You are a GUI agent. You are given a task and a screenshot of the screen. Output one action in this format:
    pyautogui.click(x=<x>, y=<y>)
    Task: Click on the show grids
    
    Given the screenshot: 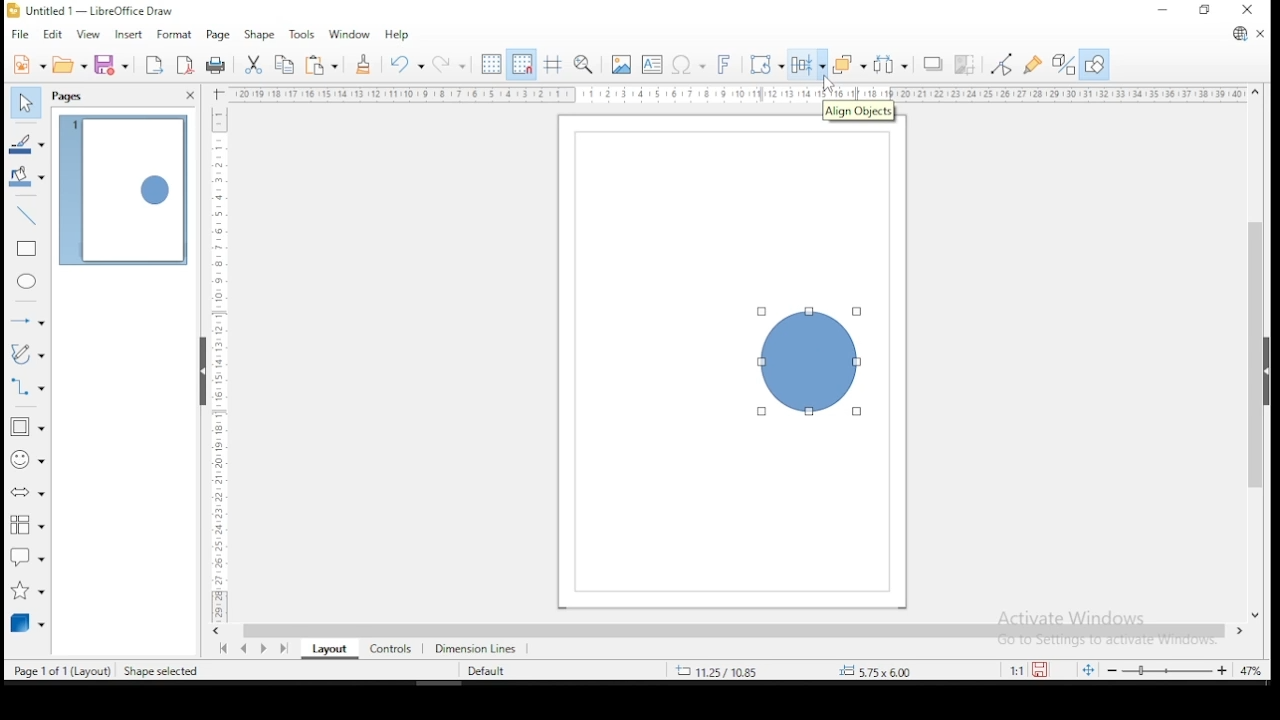 What is the action you would take?
    pyautogui.click(x=489, y=66)
    